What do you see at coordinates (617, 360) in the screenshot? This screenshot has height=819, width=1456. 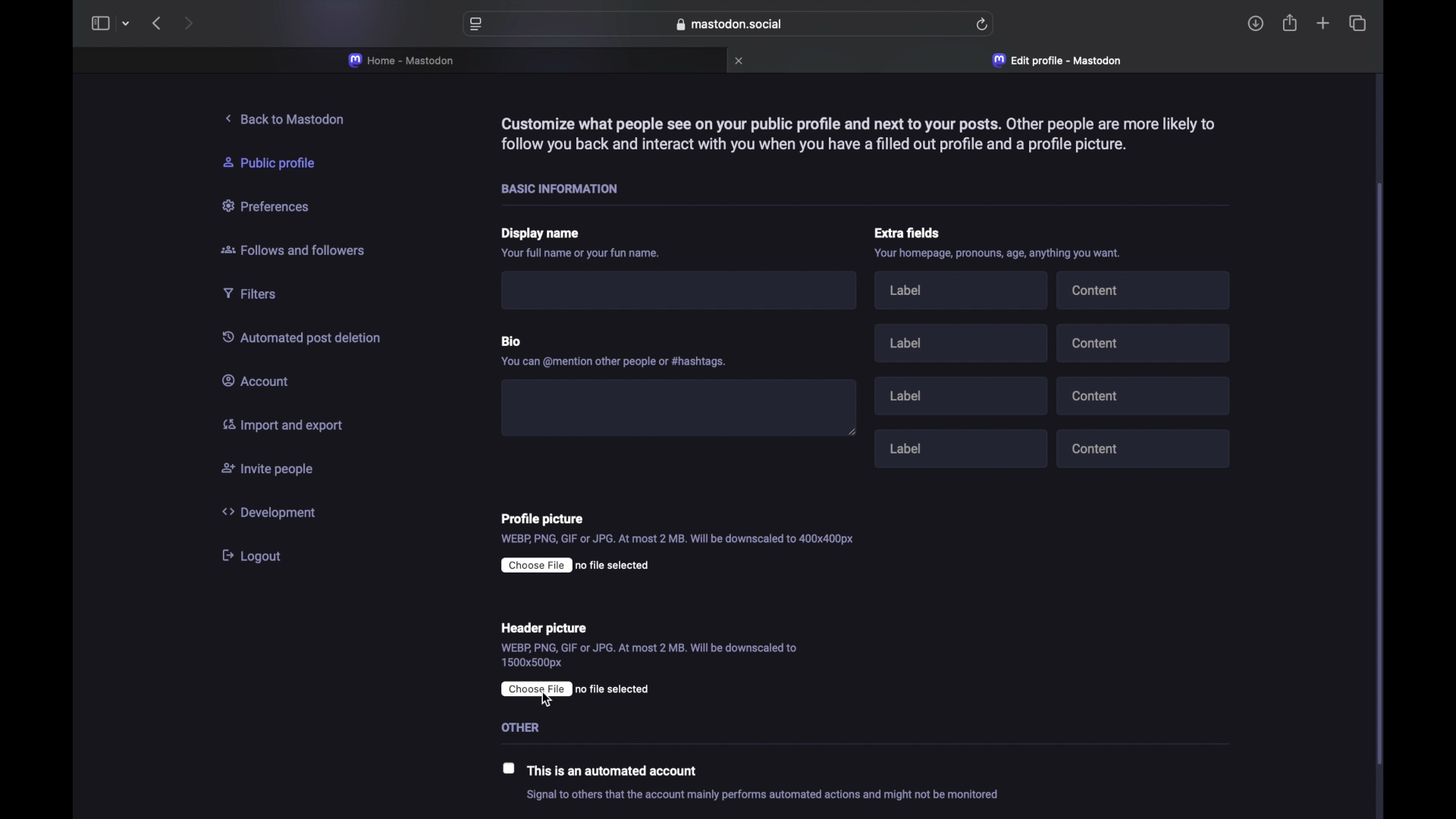 I see `info` at bounding box center [617, 360].